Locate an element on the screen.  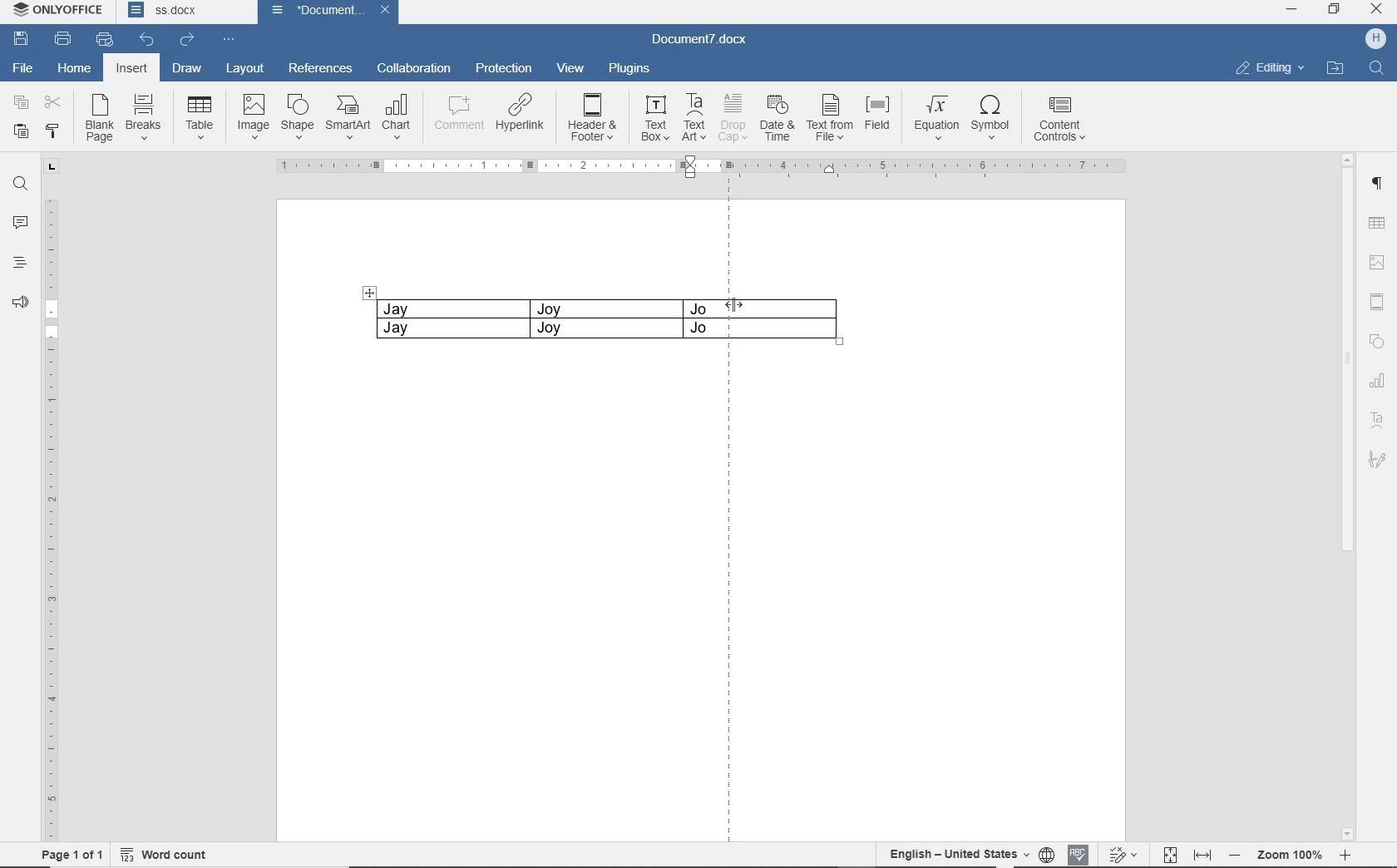
COLLABORATION is located at coordinates (412, 70).